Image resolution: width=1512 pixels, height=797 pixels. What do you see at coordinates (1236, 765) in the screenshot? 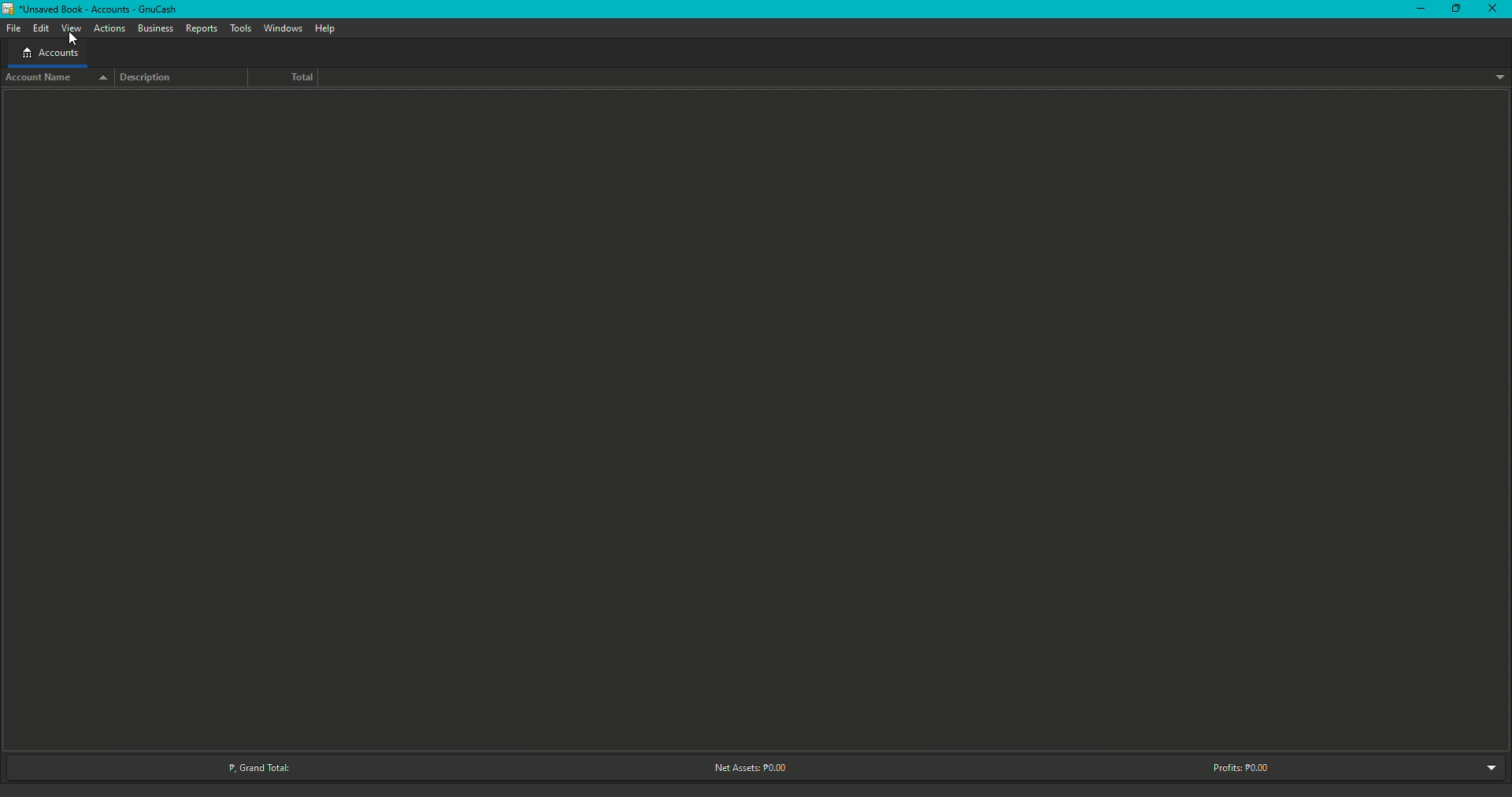
I see `Profits` at bounding box center [1236, 765].